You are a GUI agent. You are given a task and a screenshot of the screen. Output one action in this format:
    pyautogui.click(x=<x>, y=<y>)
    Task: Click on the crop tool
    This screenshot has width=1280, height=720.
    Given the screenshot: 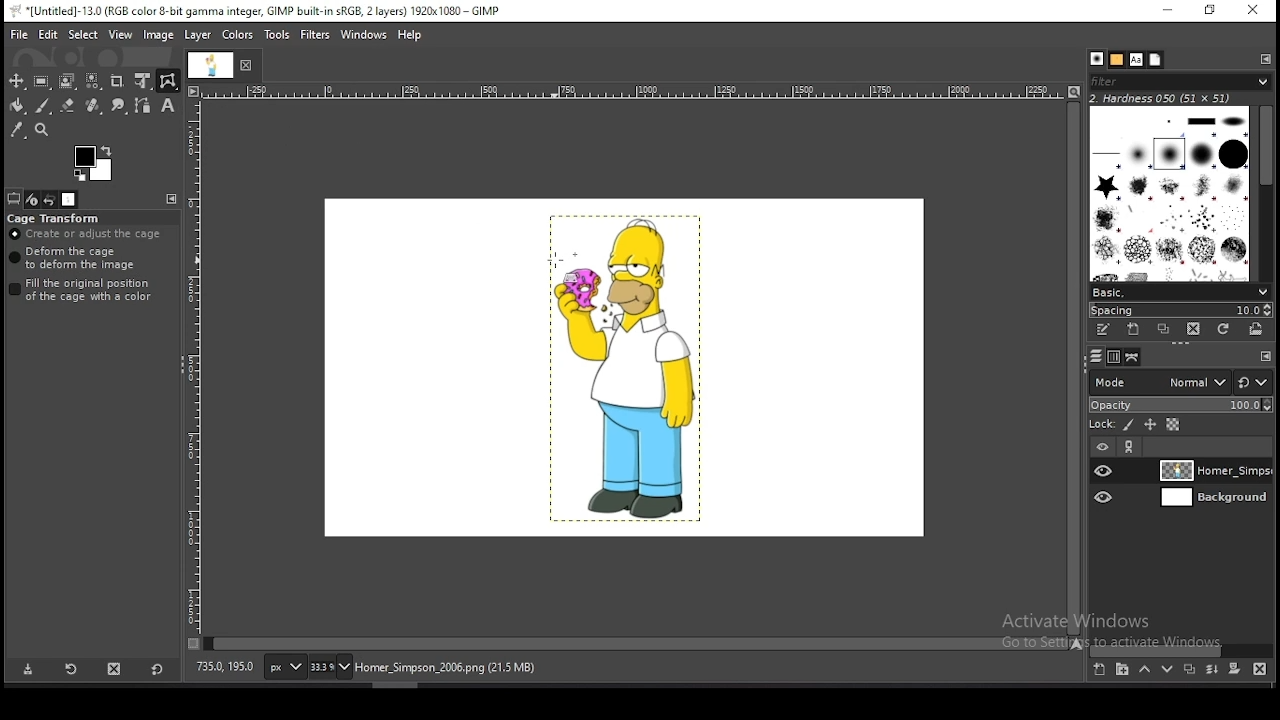 What is the action you would take?
    pyautogui.click(x=119, y=81)
    